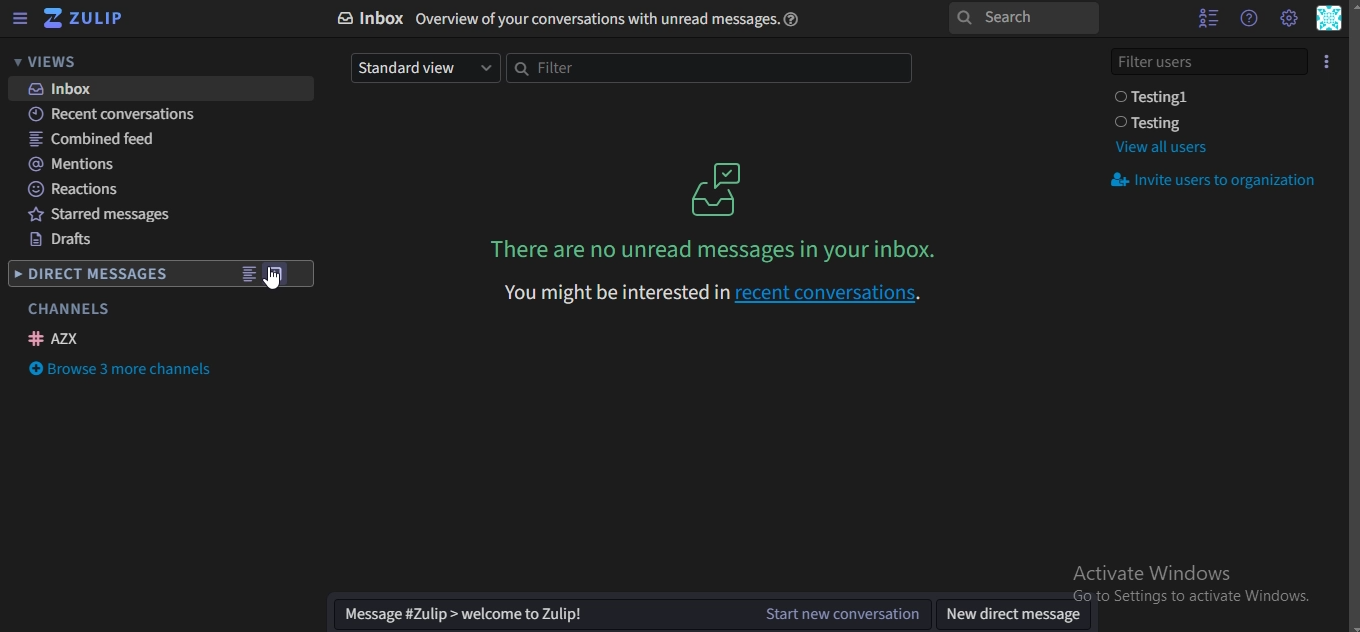 This screenshot has height=632, width=1360. I want to click on starred messages, so click(108, 217).